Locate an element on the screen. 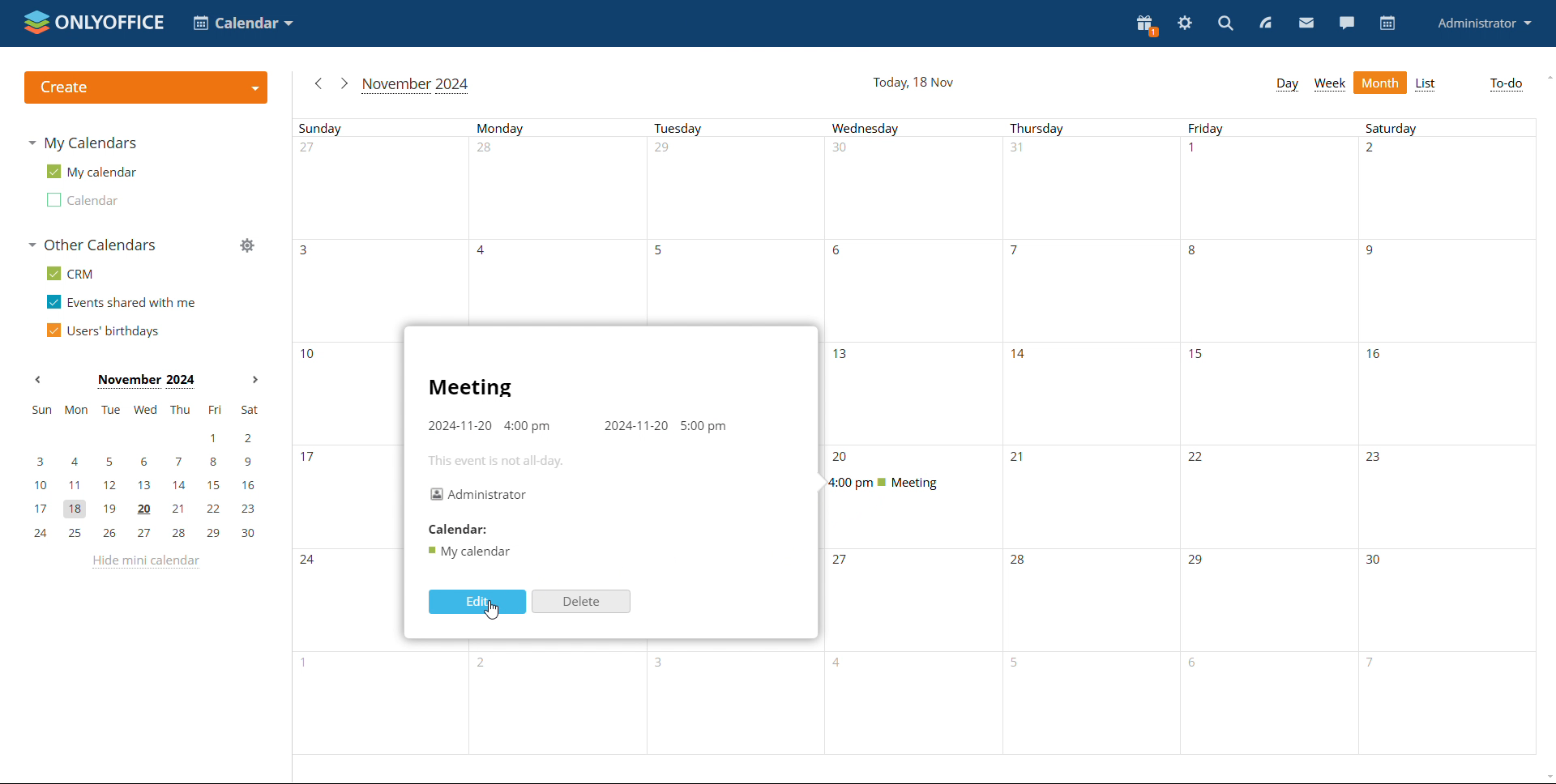  scroll down is located at coordinates (1546, 777).